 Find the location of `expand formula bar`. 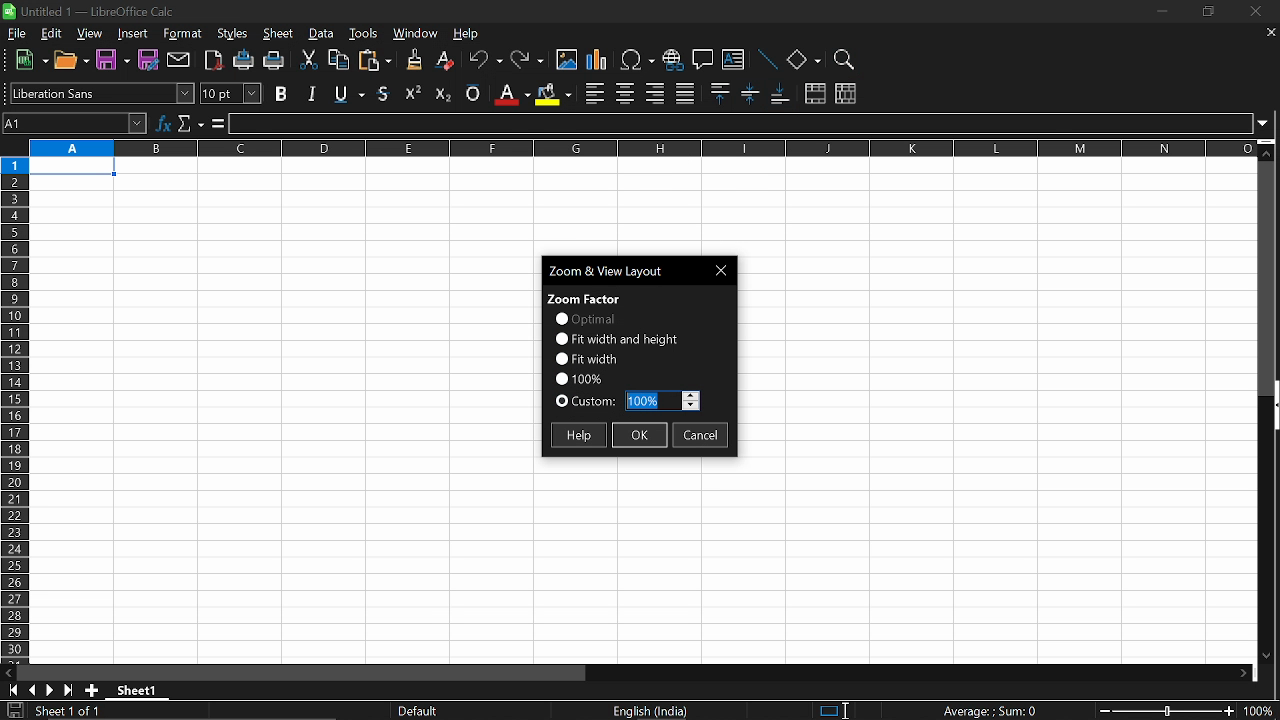

expand formula bar is located at coordinates (1268, 122).